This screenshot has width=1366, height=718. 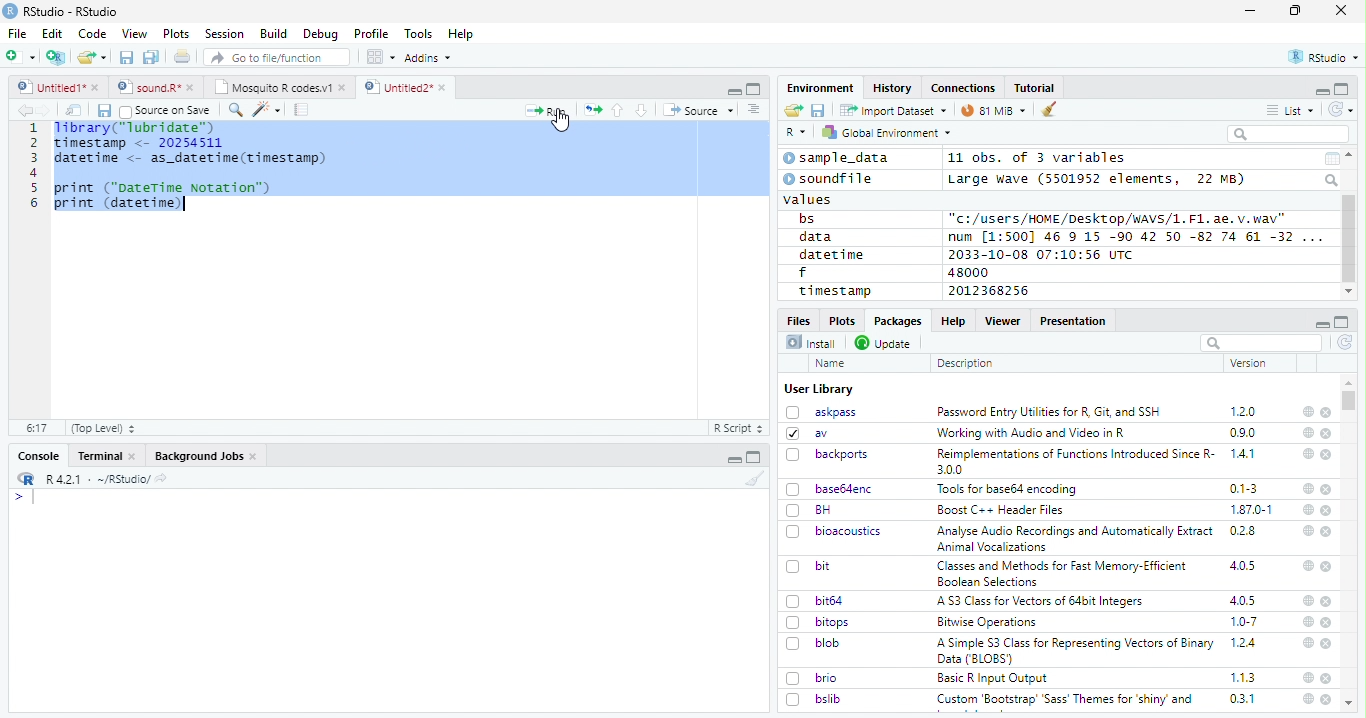 What do you see at coordinates (834, 290) in the screenshot?
I see `timestamp` at bounding box center [834, 290].